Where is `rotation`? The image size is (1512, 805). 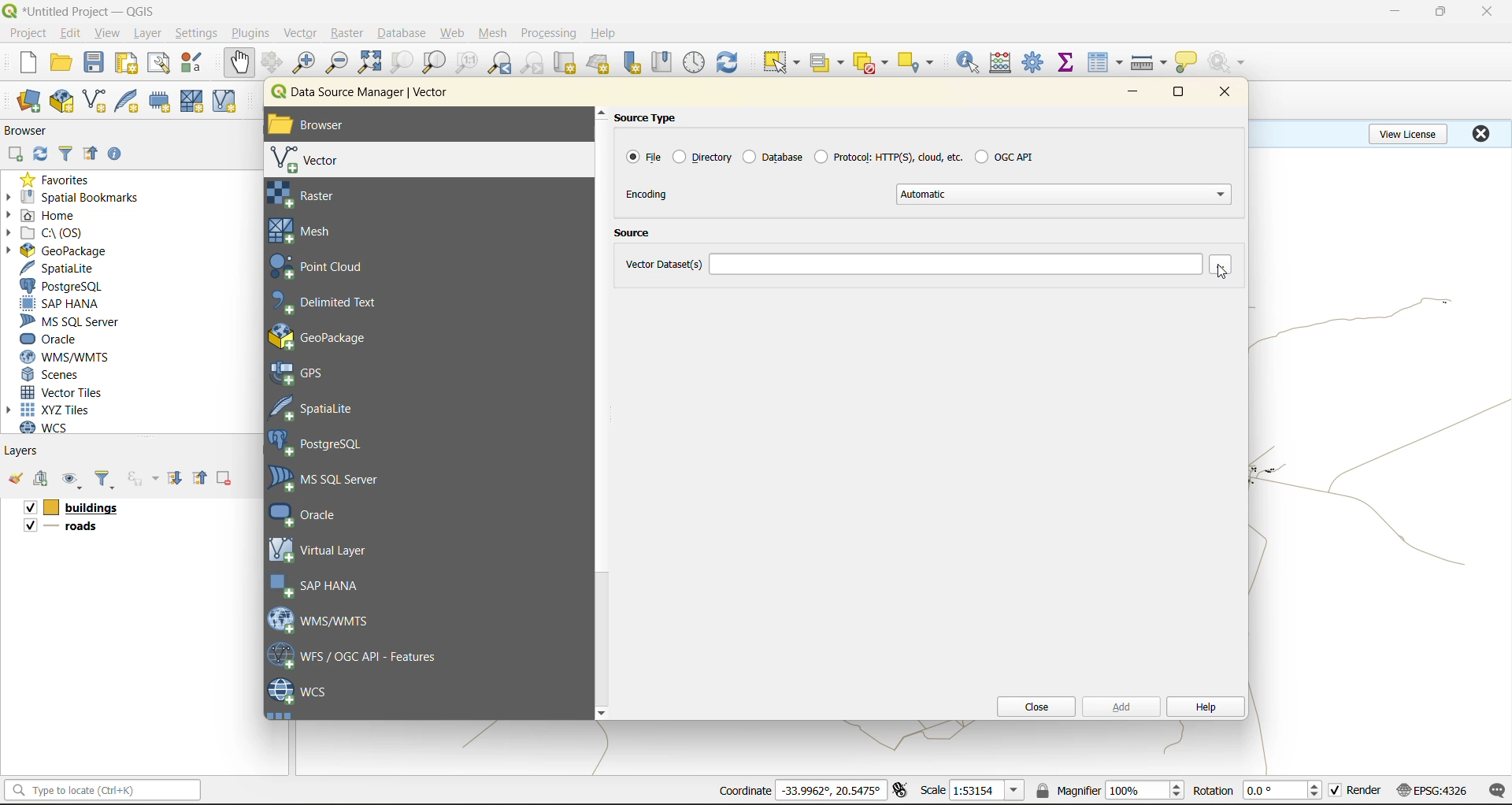
rotation is located at coordinates (1285, 791).